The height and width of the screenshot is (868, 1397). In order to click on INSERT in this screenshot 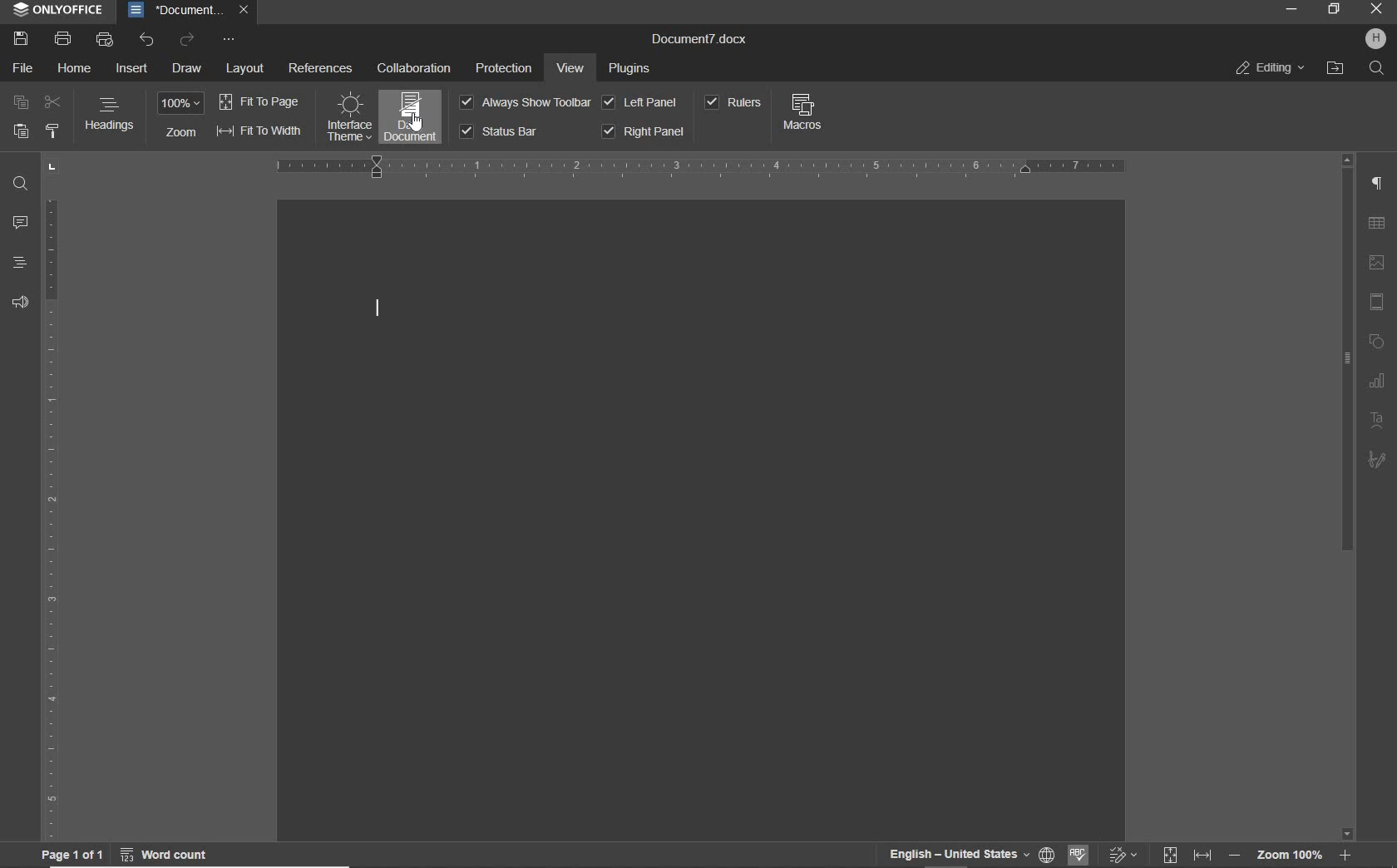, I will do `click(131, 70)`.